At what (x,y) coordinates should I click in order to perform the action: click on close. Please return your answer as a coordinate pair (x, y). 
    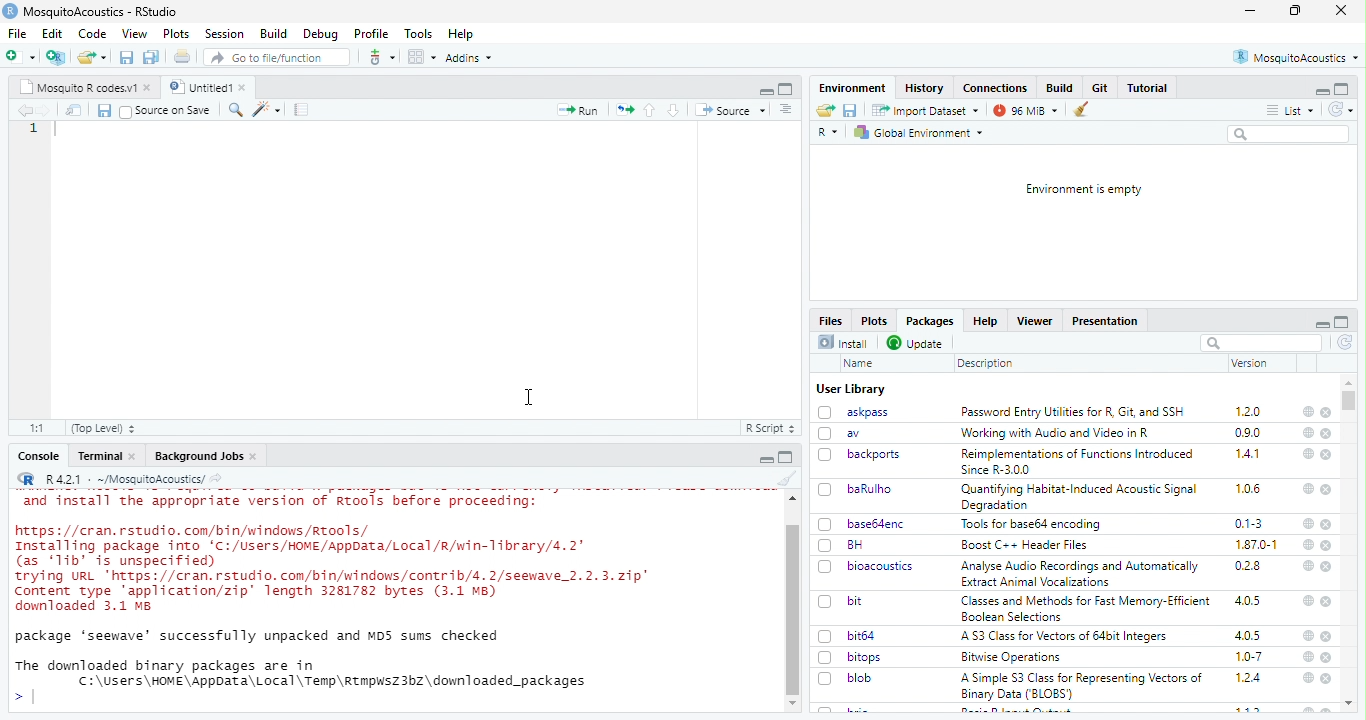
    Looking at the image, I should click on (1327, 637).